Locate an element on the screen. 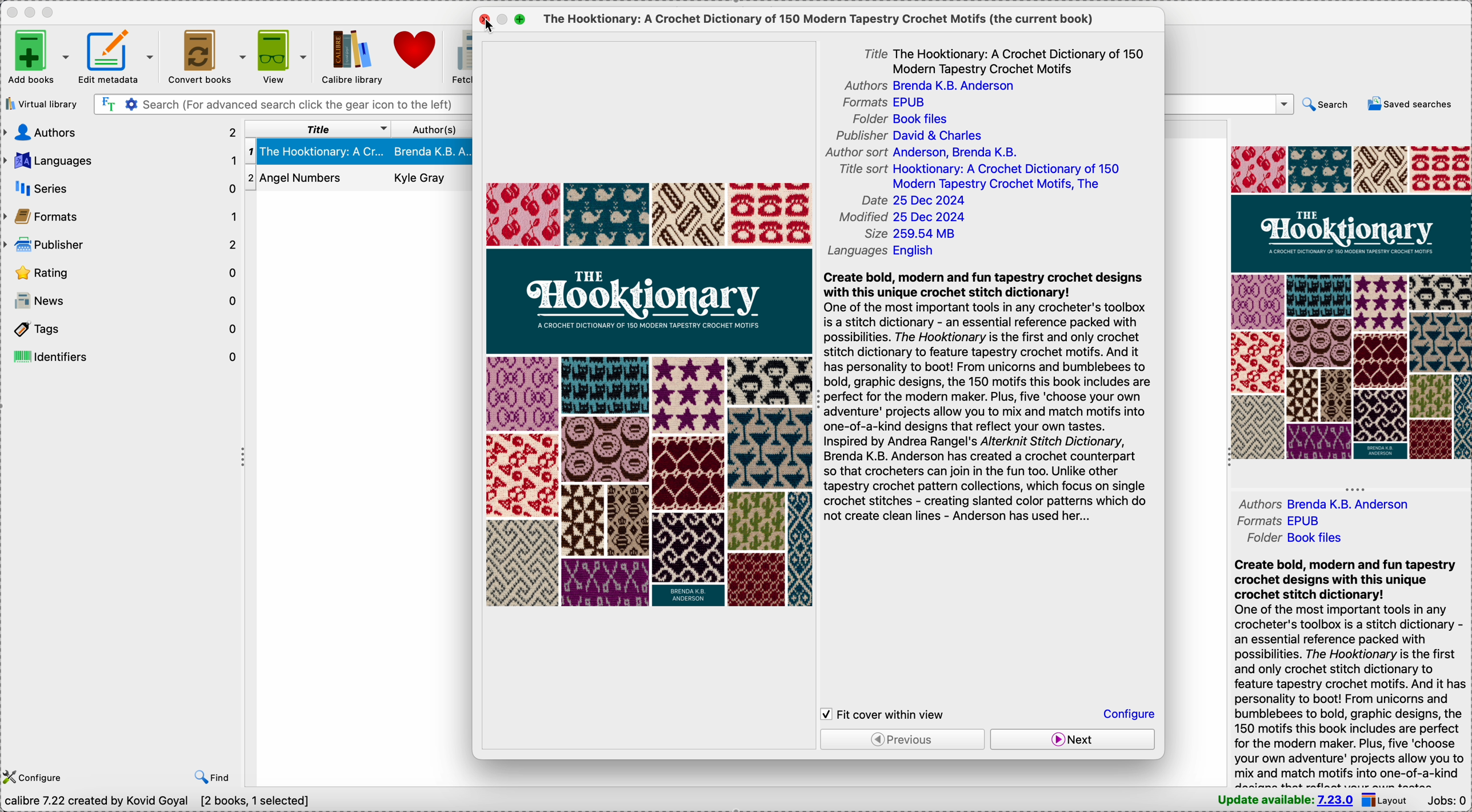 The image size is (1472, 812). synopsis is located at coordinates (993, 398).